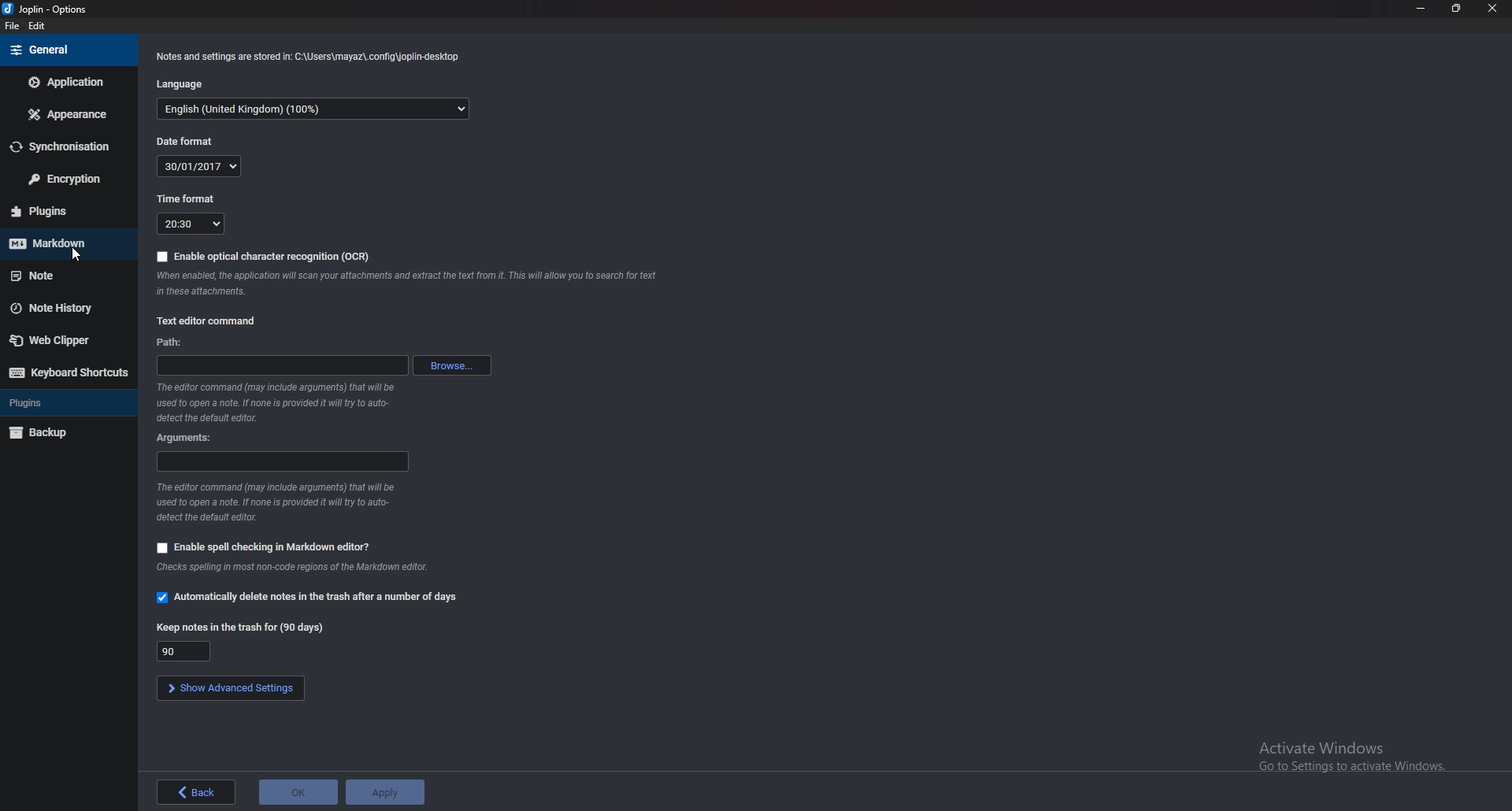 The height and width of the screenshot is (811, 1512). What do you see at coordinates (38, 27) in the screenshot?
I see `edit` at bounding box center [38, 27].